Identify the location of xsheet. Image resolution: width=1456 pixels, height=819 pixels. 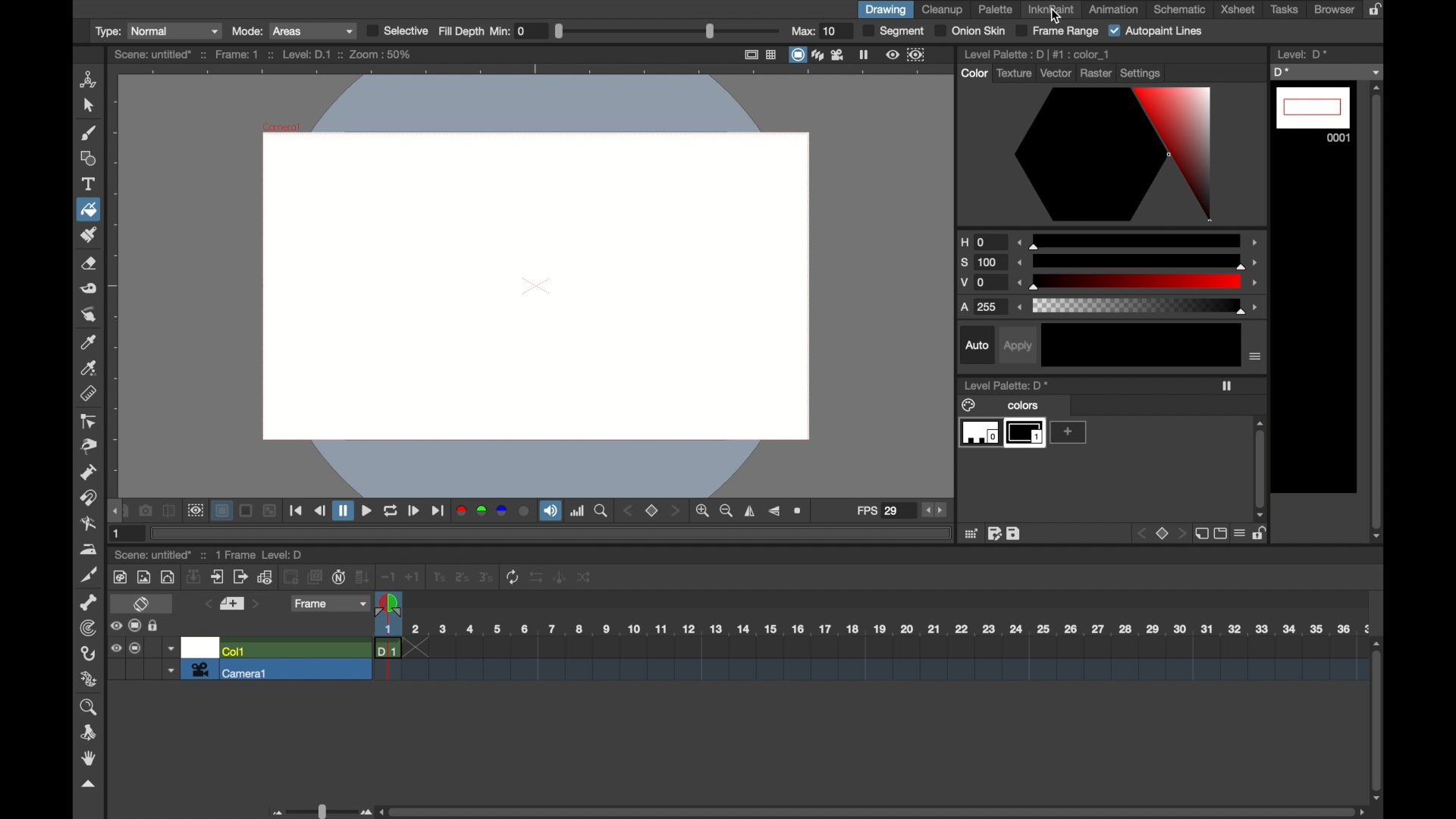
(1238, 9).